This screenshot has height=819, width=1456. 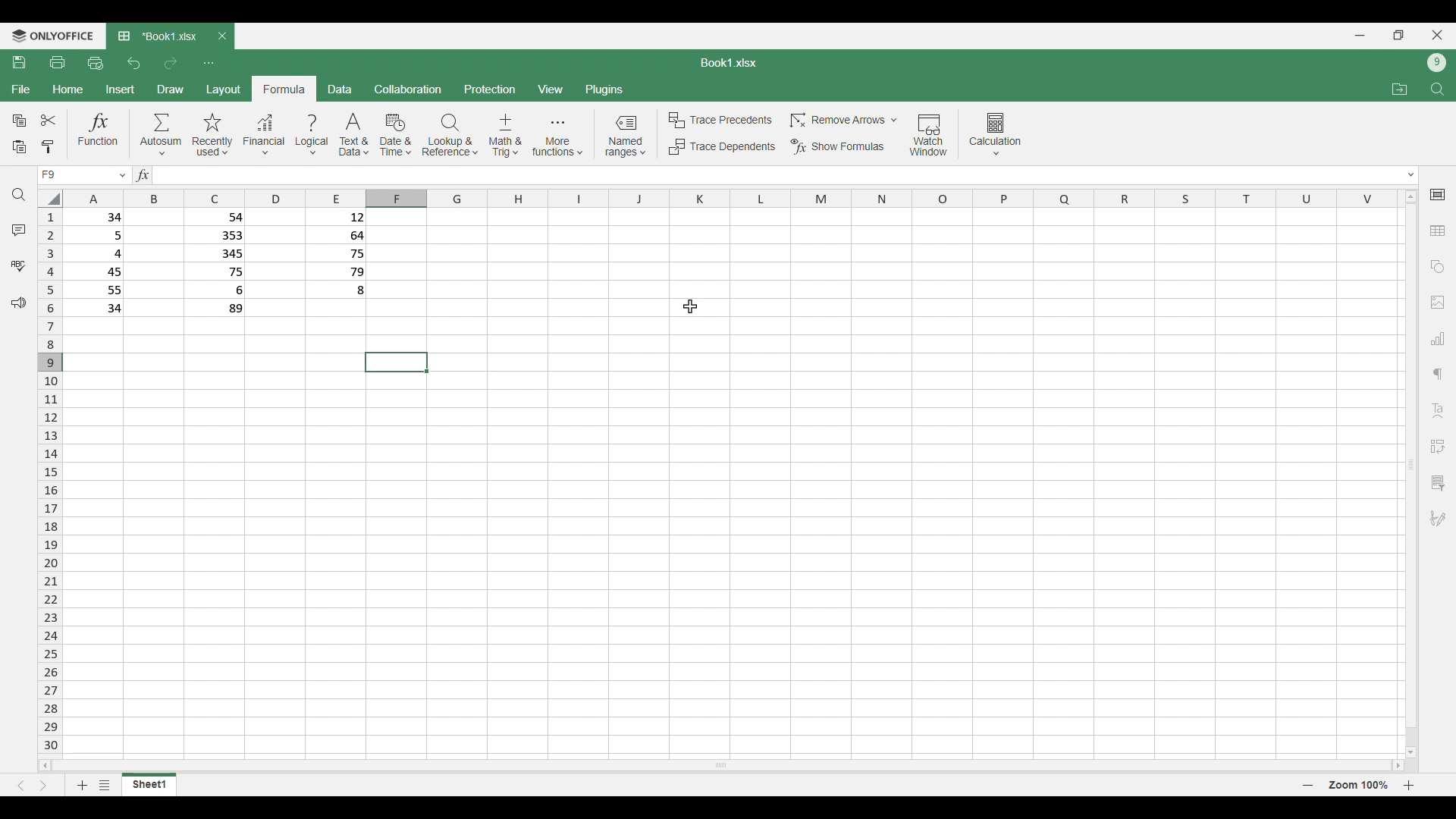 What do you see at coordinates (213, 135) in the screenshot?
I see `Recently used` at bounding box center [213, 135].